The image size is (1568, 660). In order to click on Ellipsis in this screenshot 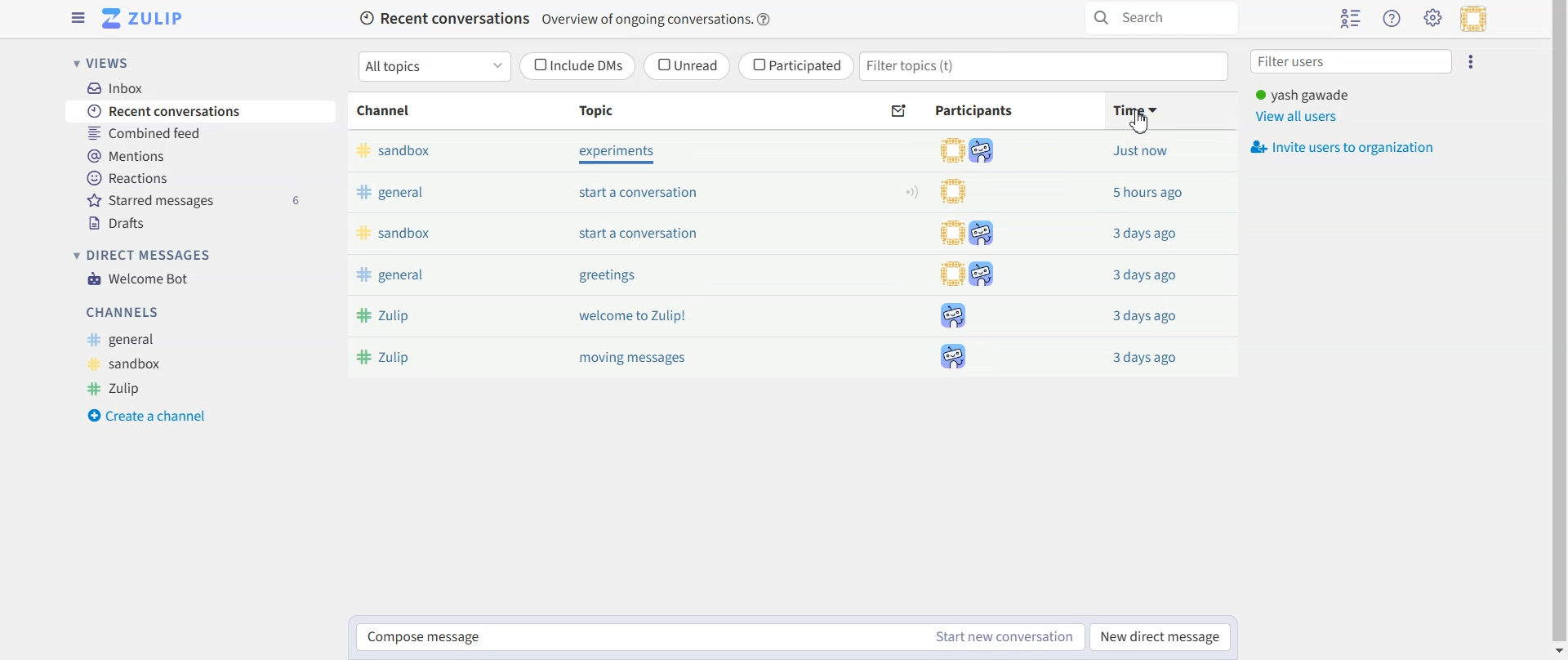, I will do `click(1472, 60)`.